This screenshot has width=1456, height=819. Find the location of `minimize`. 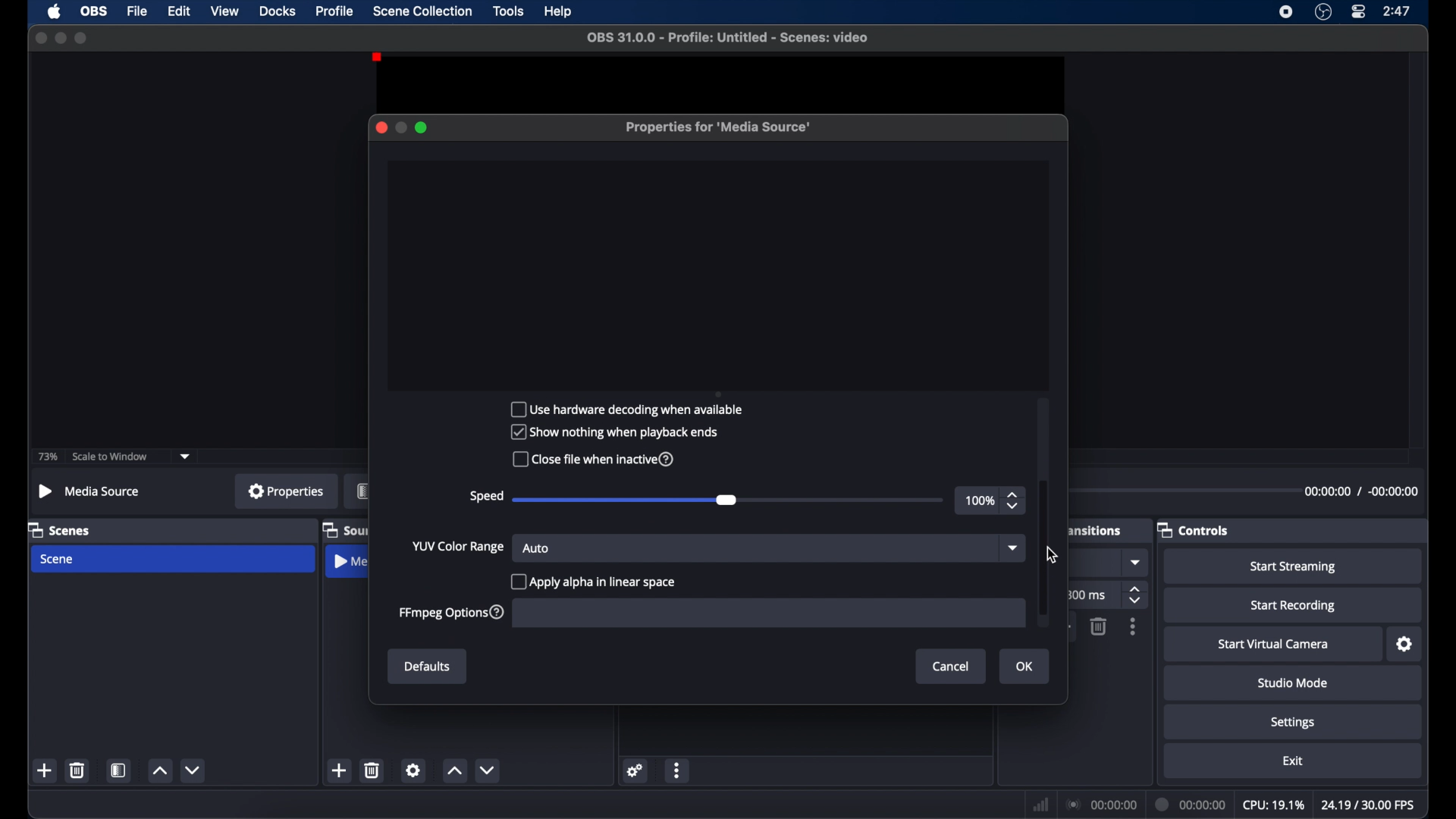

minimize is located at coordinates (59, 38).